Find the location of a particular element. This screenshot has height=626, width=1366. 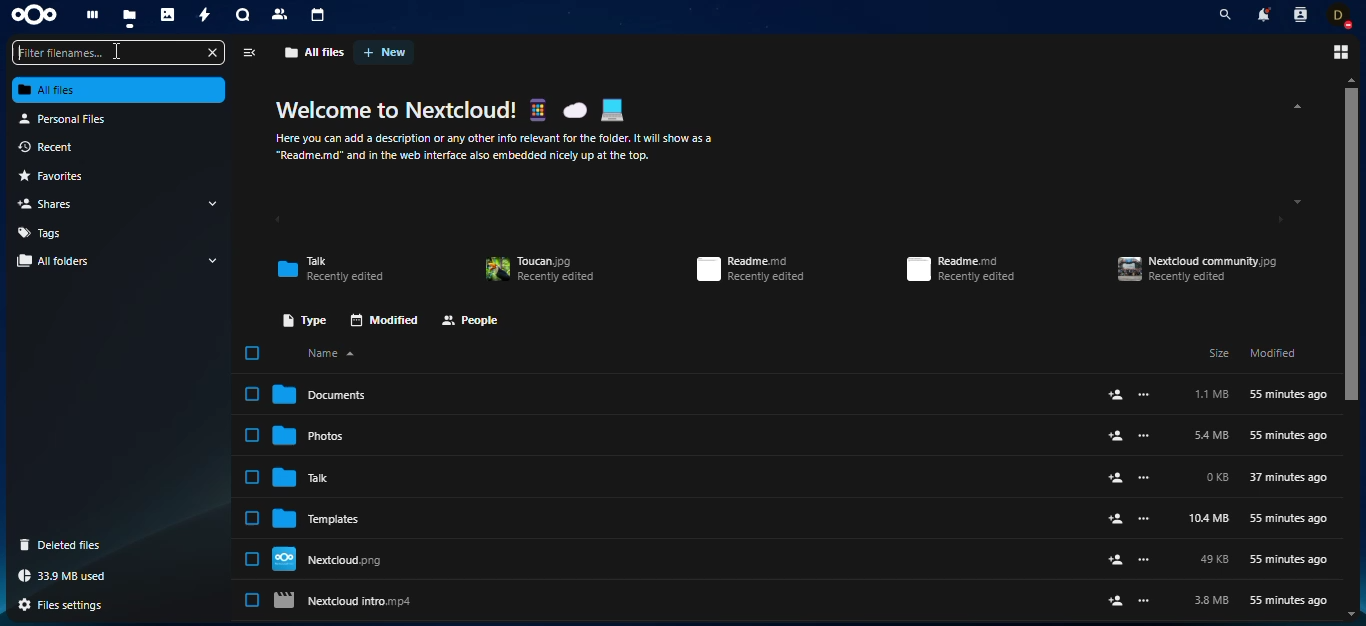

5.4MB 55 minutes ago is located at coordinates (1260, 436).